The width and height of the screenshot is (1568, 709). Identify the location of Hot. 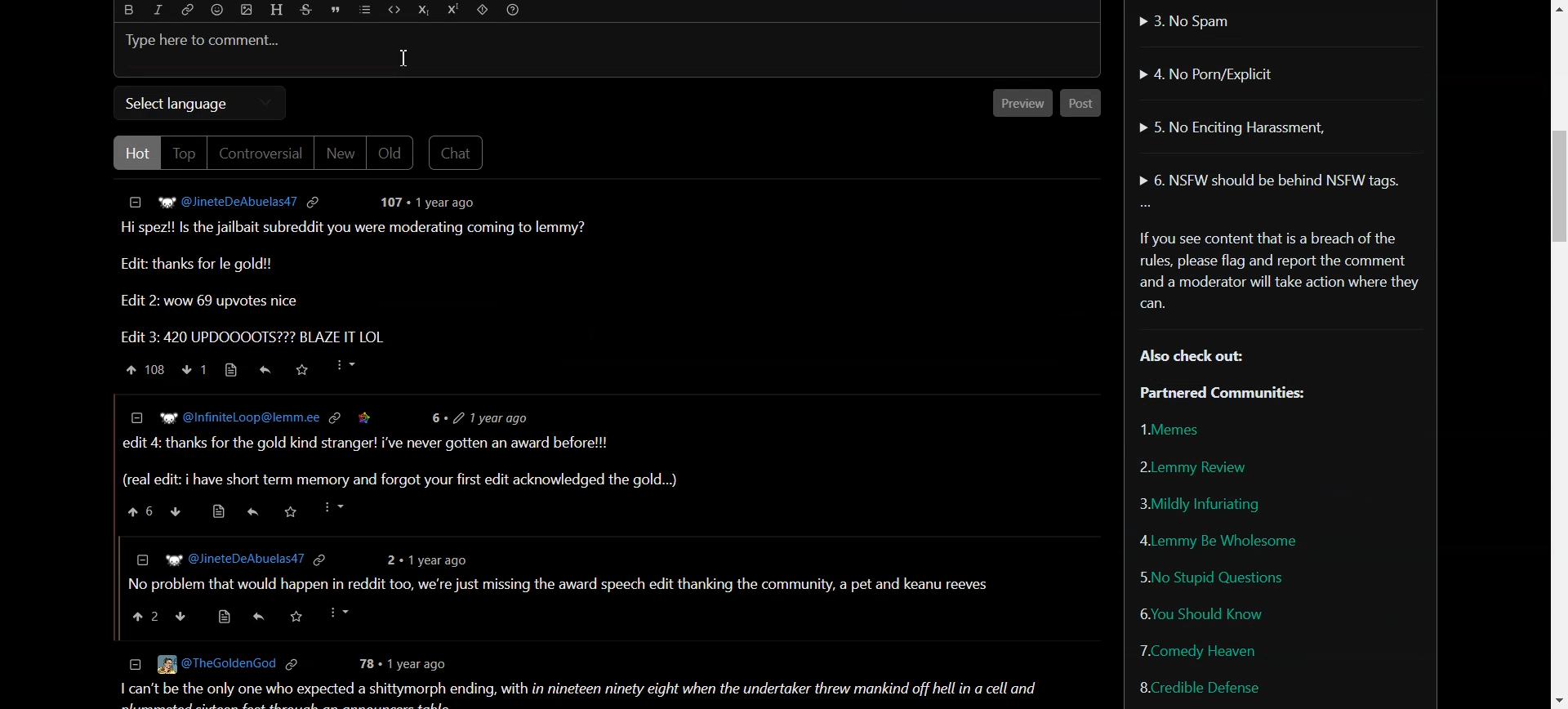
(134, 154).